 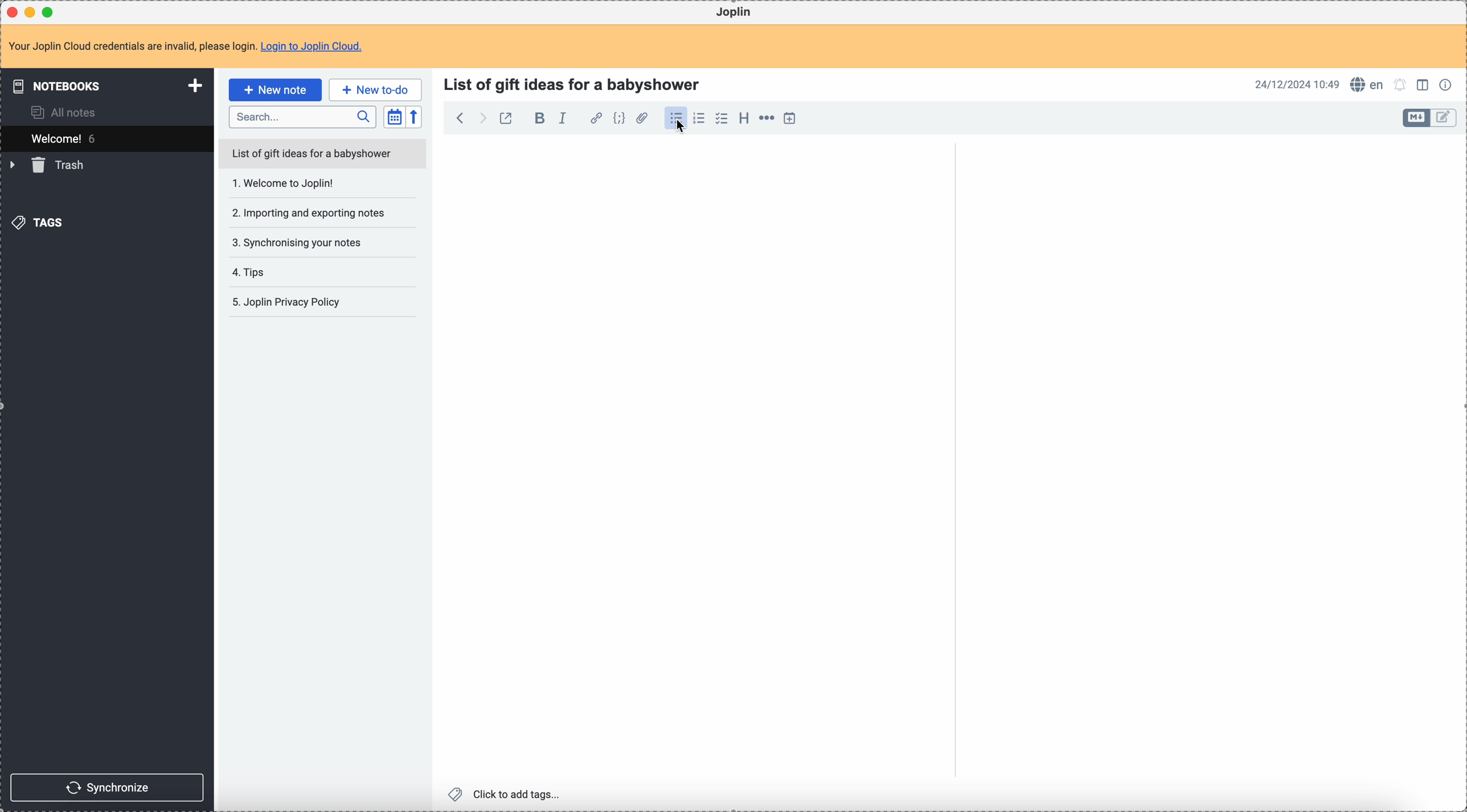 What do you see at coordinates (621, 119) in the screenshot?
I see `code` at bounding box center [621, 119].